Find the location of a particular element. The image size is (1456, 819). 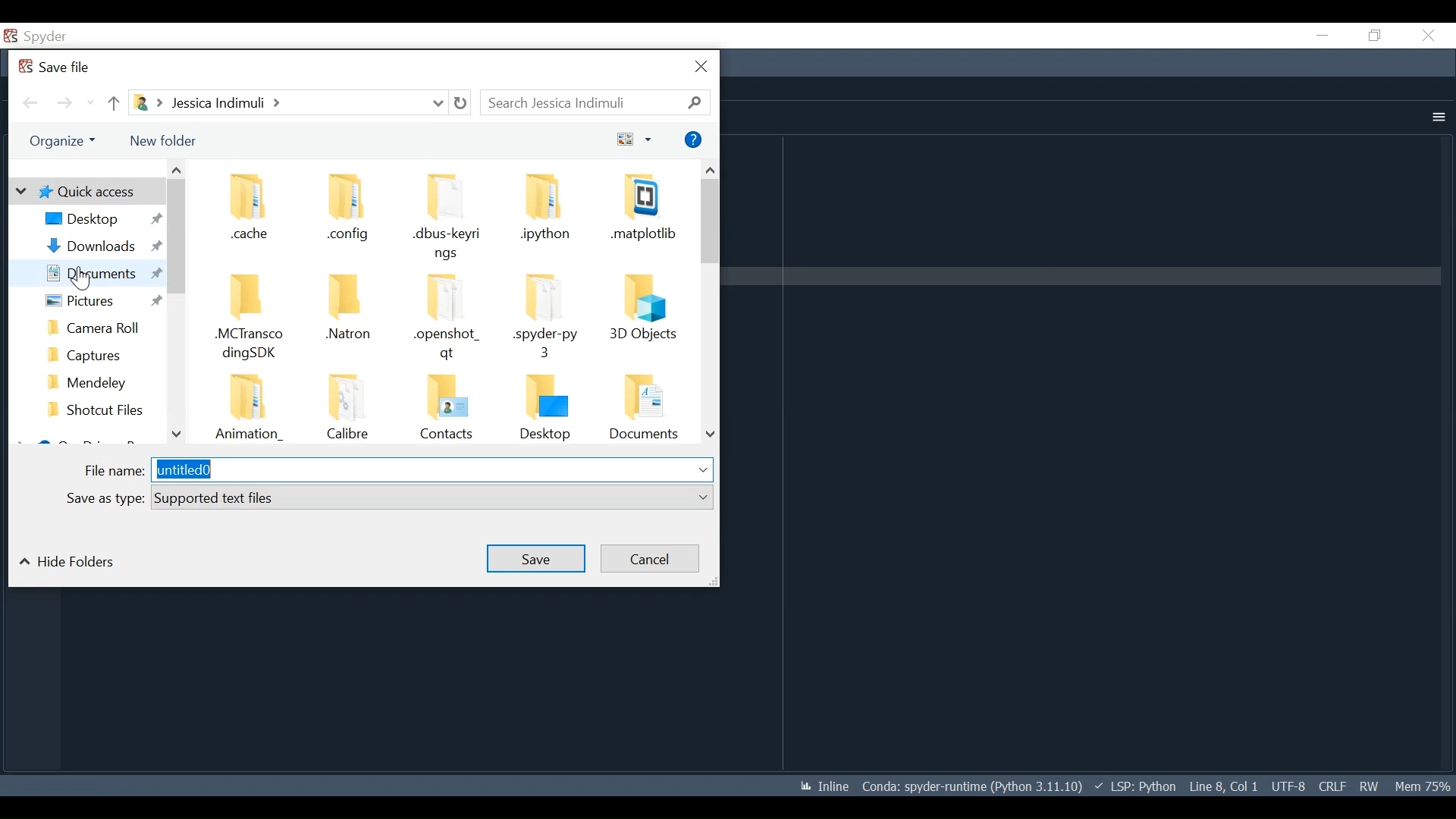

Folder is located at coordinates (642, 214).